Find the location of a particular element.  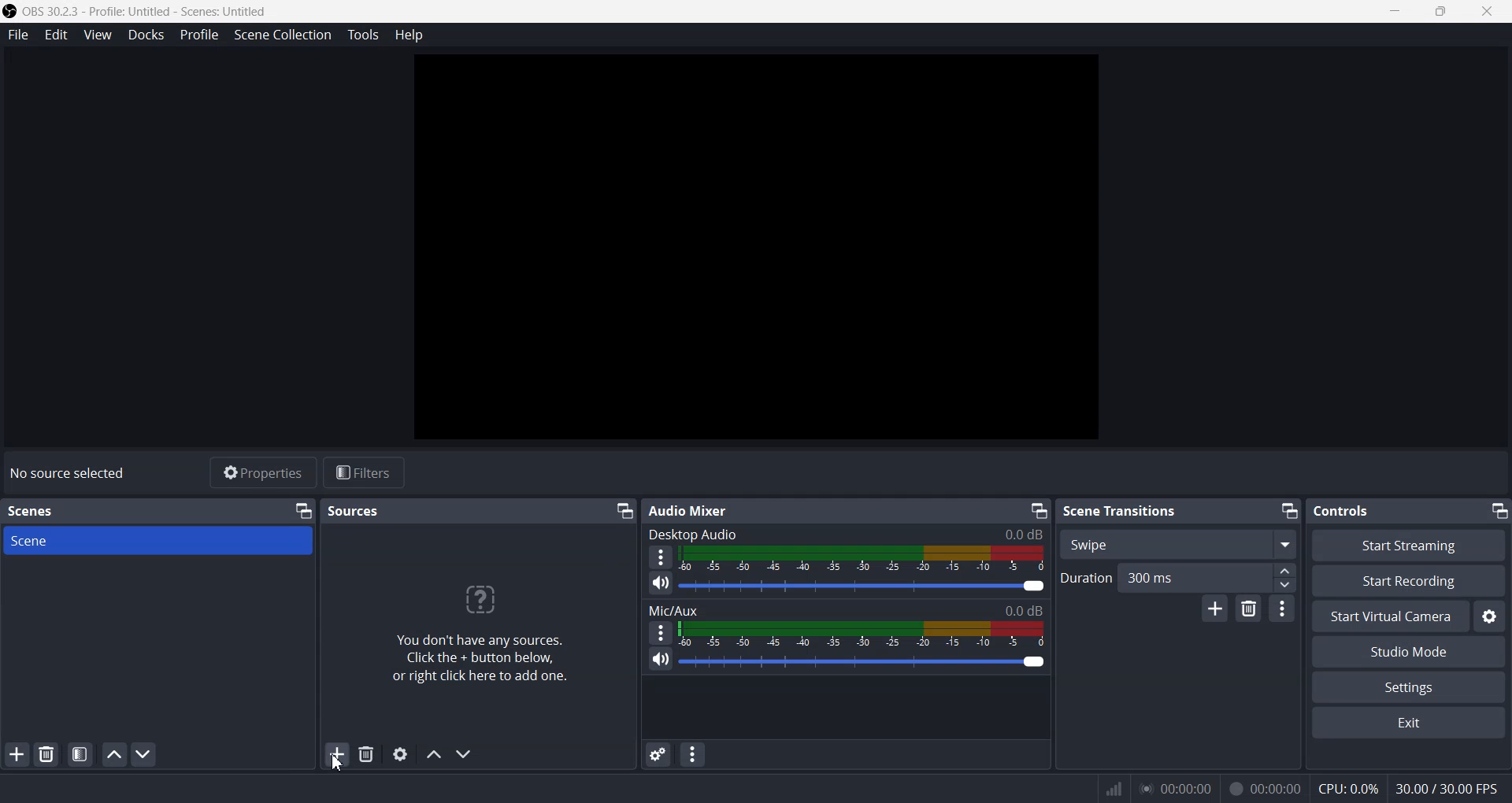

Start Virtual Camera is located at coordinates (1390, 616).